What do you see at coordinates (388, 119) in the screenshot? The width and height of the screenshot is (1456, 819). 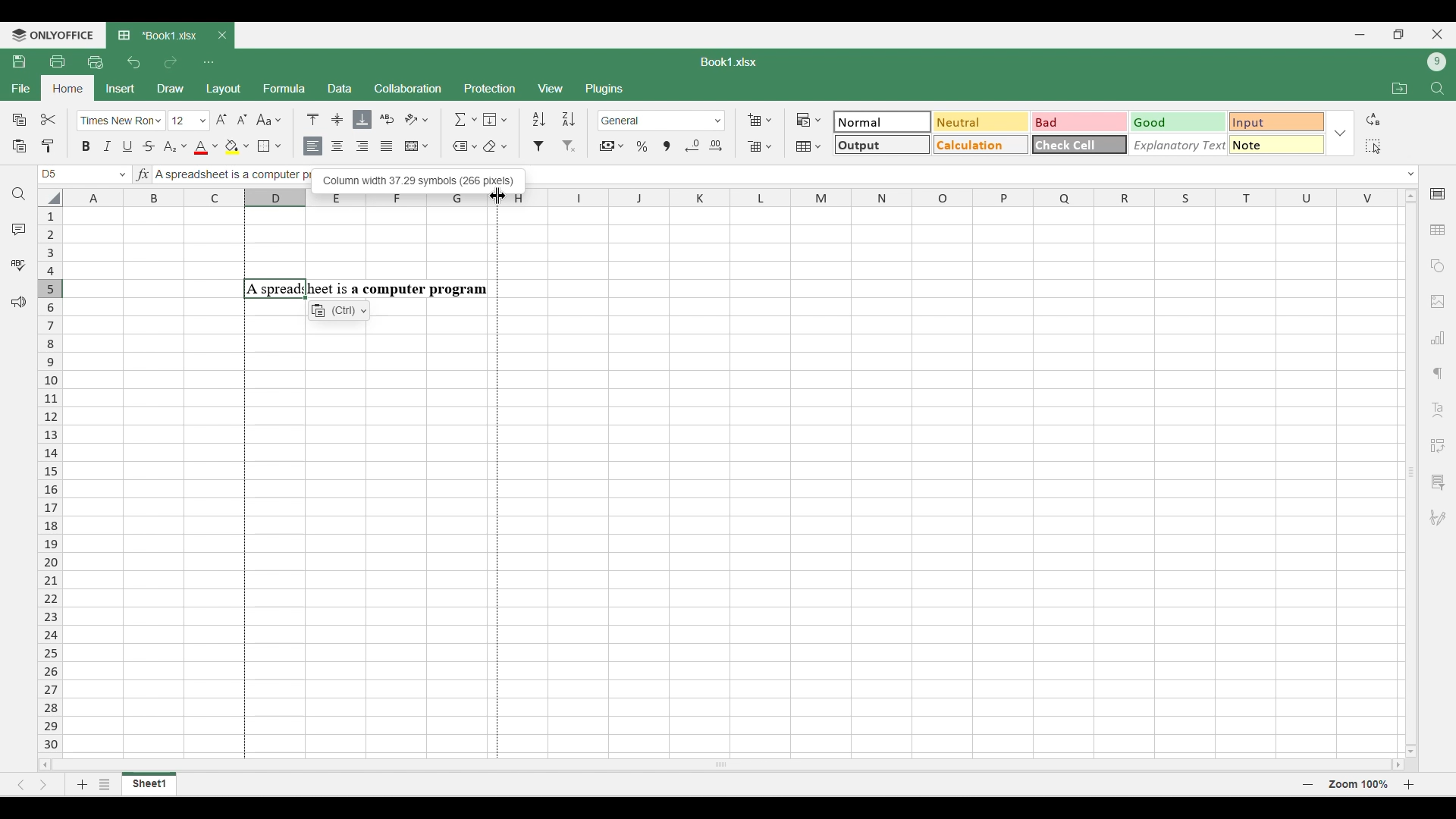 I see `Wrap text` at bounding box center [388, 119].